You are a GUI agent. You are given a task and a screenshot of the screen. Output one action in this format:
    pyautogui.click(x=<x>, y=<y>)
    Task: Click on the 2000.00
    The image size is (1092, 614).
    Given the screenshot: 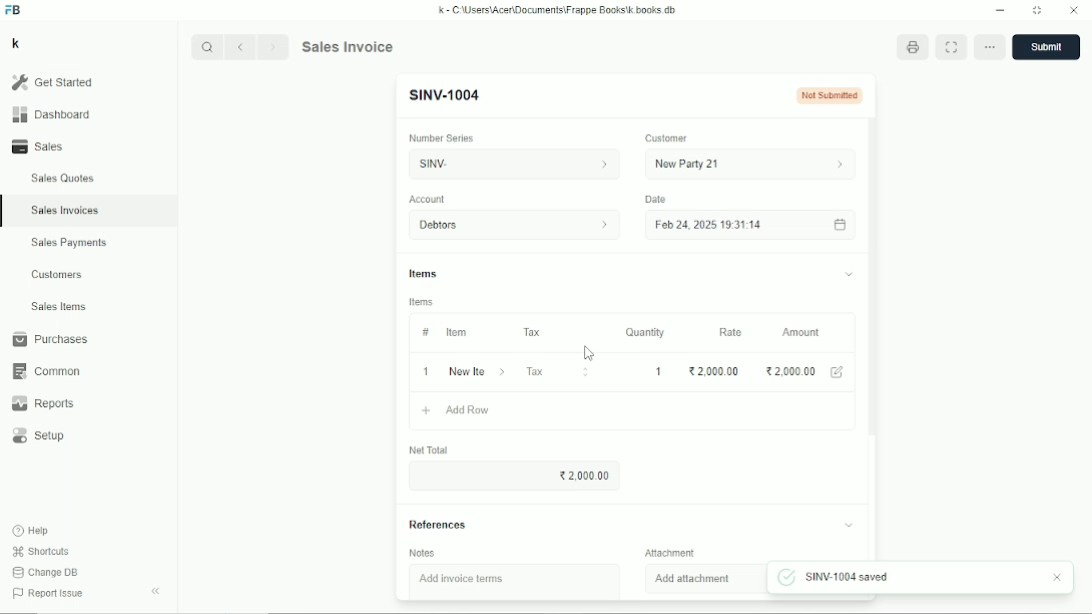 What is the action you would take?
    pyautogui.click(x=586, y=475)
    